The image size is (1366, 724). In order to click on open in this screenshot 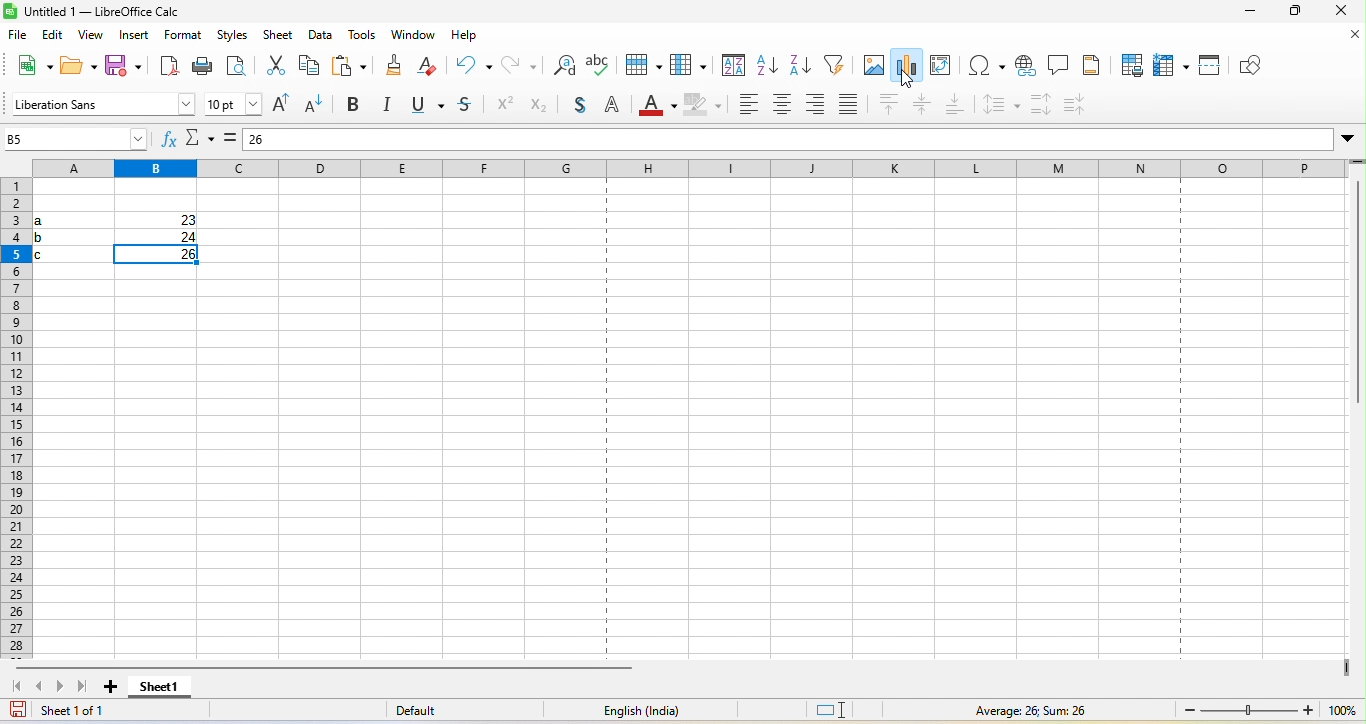, I will do `click(76, 66)`.